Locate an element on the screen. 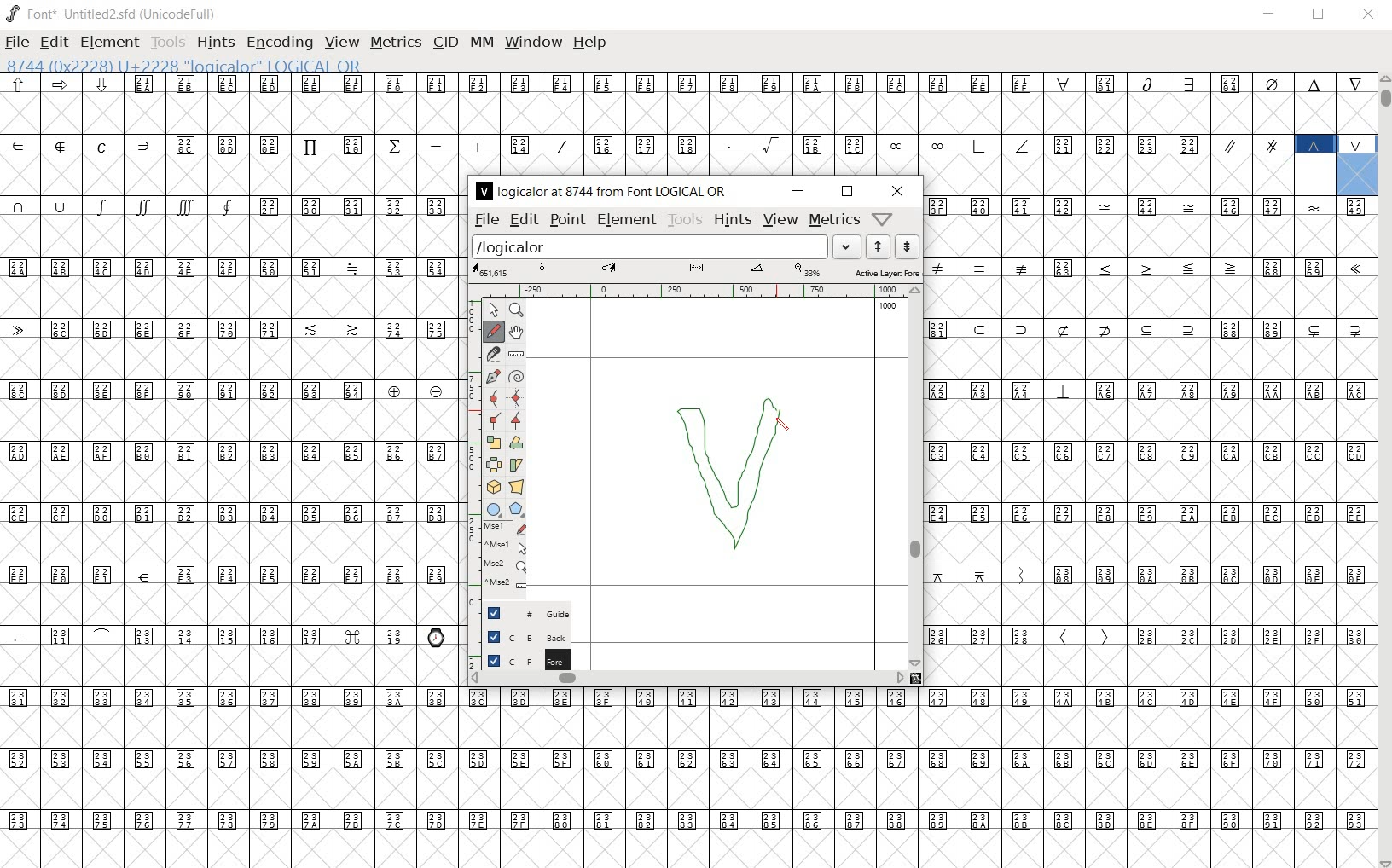 The height and width of the screenshot is (868, 1392). flip the selection is located at coordinates (492, 465).